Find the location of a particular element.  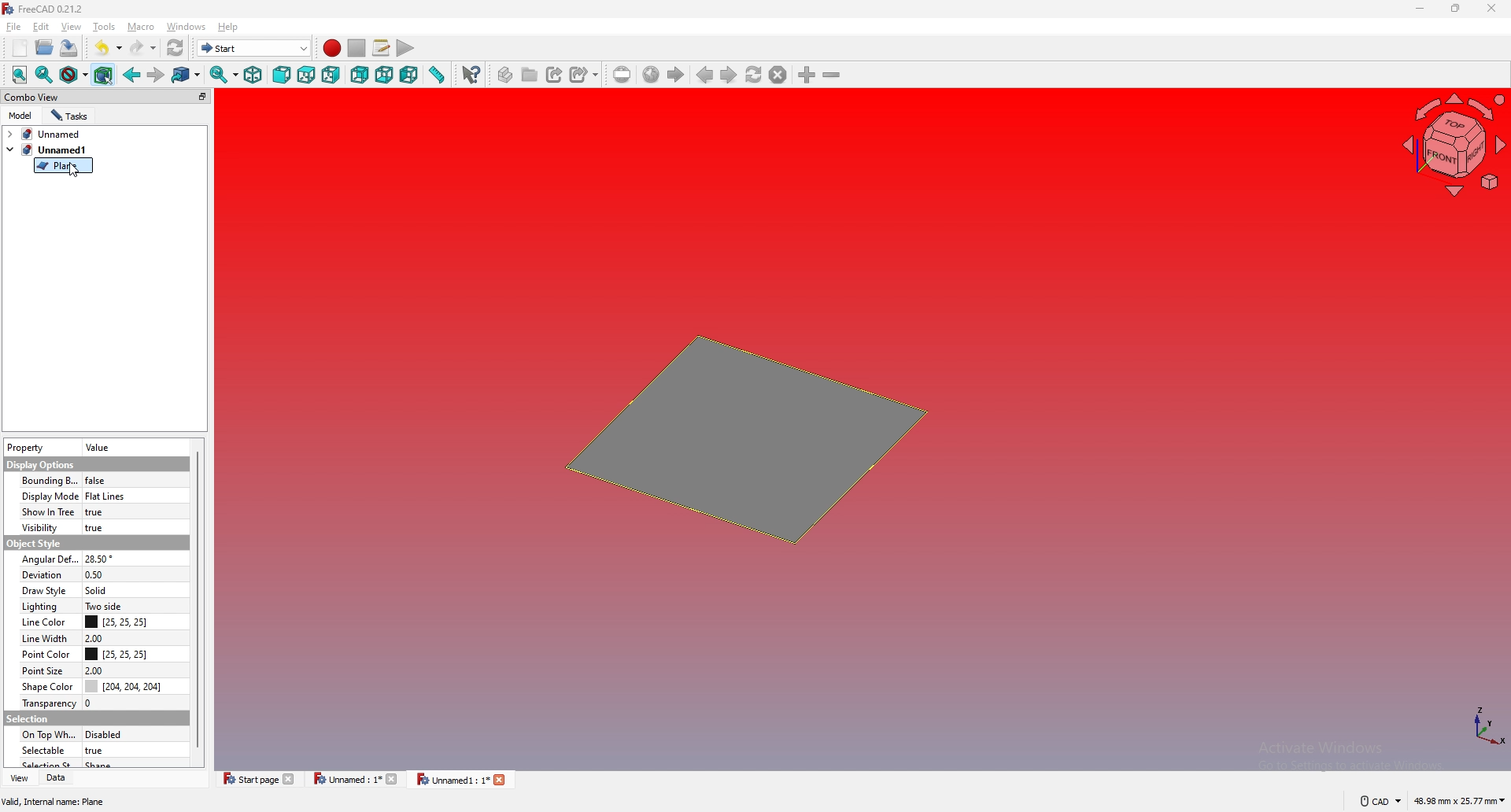

lighting is located at coordinates (40, 606).